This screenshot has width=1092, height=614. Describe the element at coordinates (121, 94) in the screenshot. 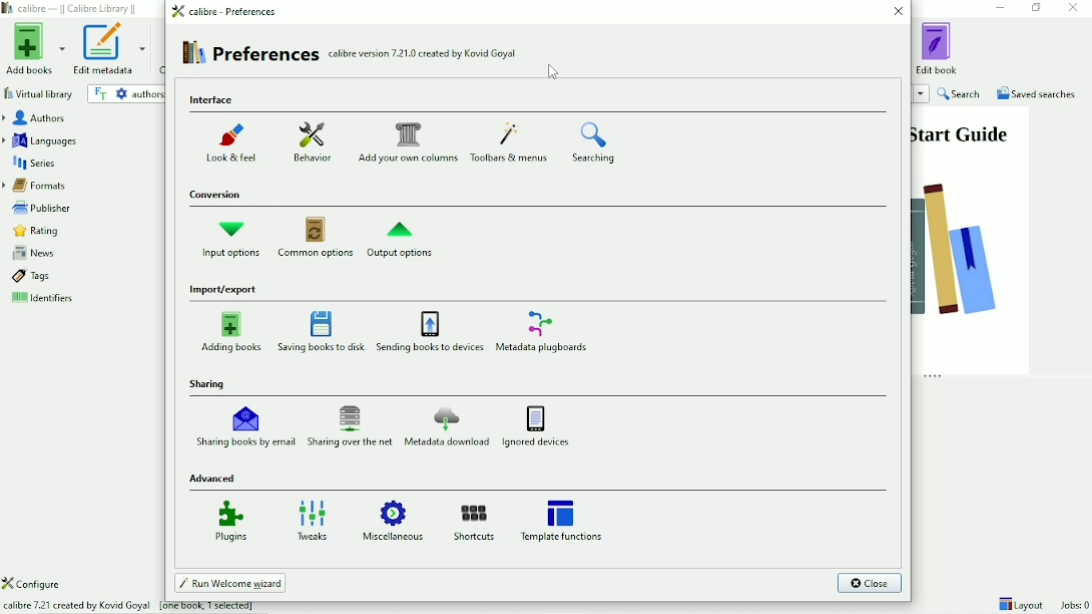

I see `advanced search` at that location.